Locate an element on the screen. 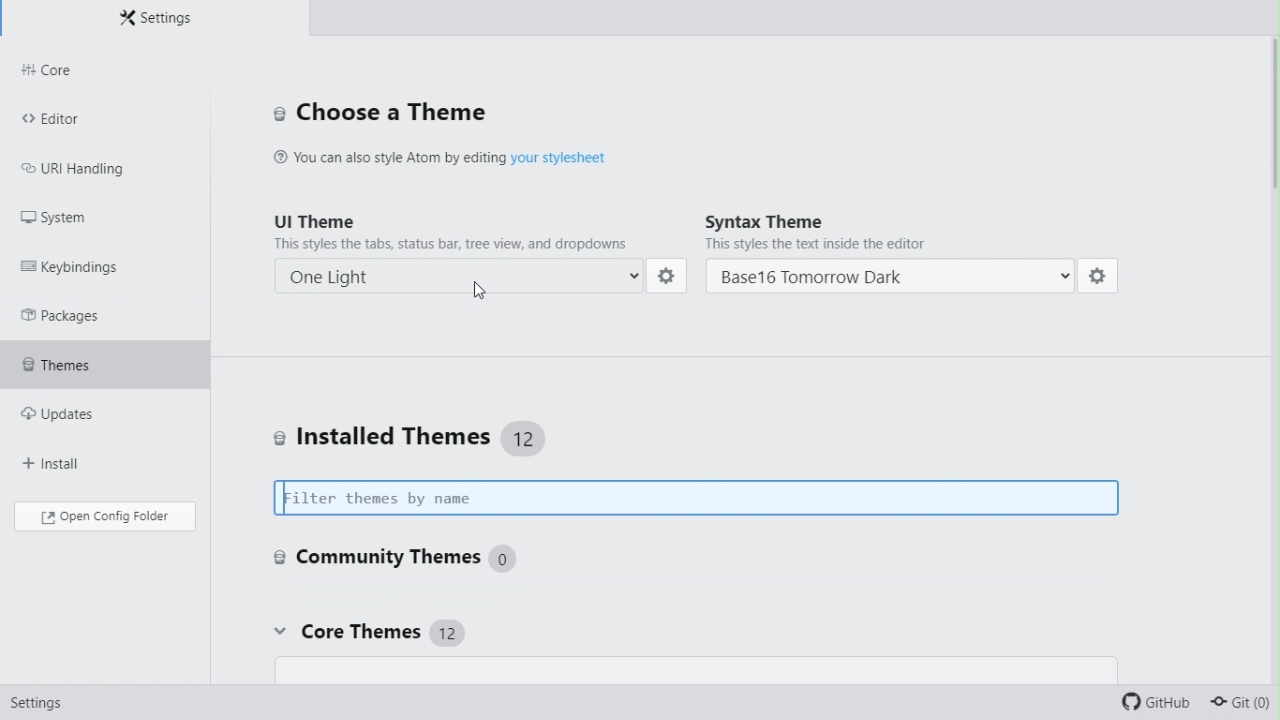 Image resolution: width=1280 pixels, height=720 pixels. Community themes 0 is located at coordinates (394, 556).